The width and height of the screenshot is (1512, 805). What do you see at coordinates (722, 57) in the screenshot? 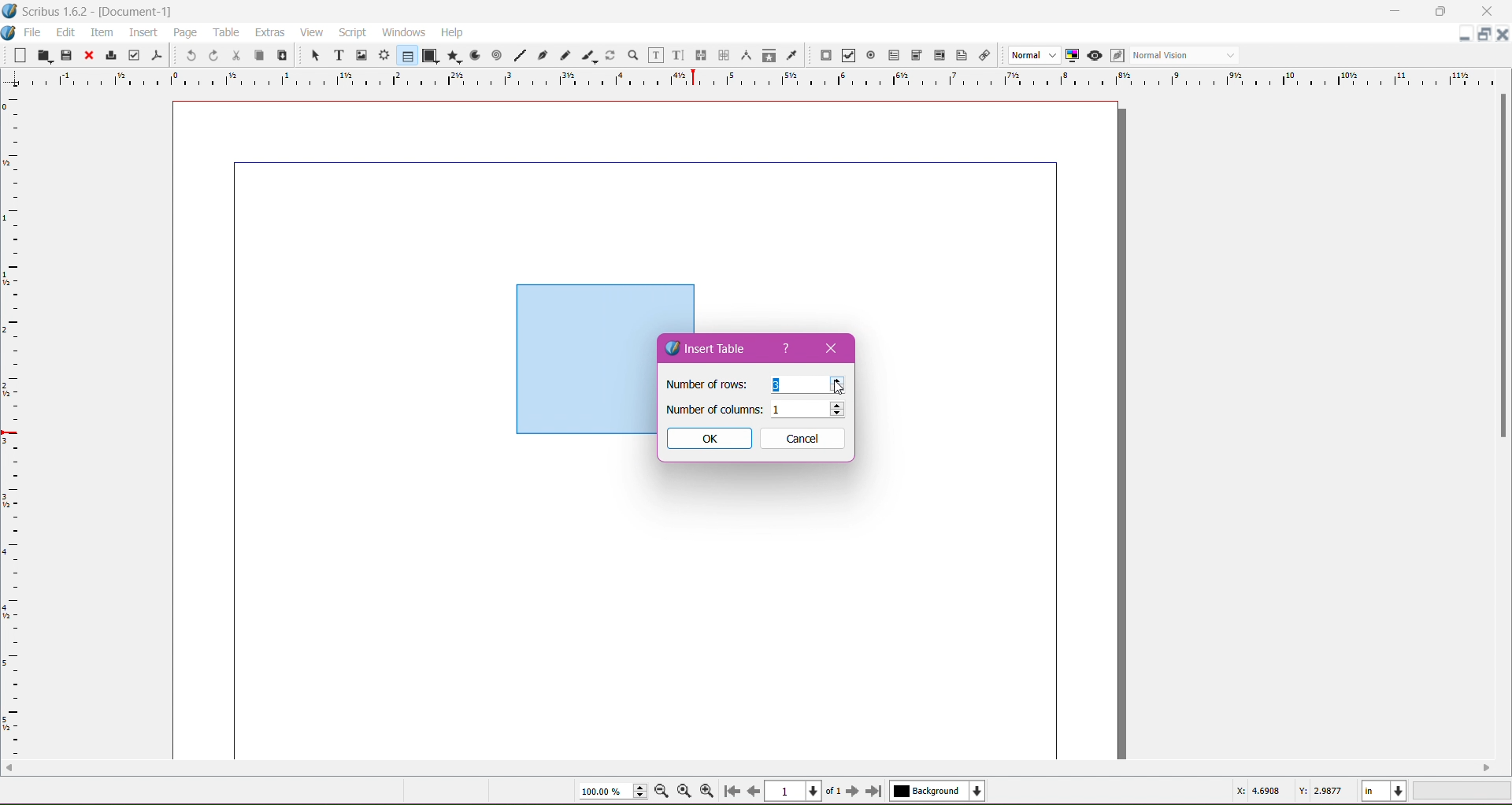
I see `Unlink Text Frames` at bounding box center [722, 57].